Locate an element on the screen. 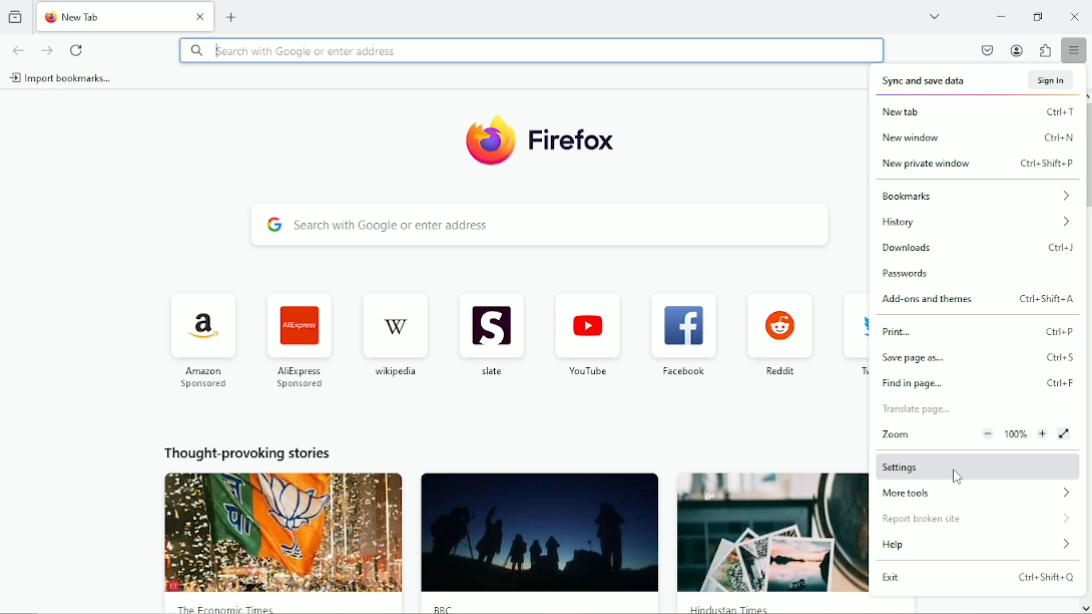 The image size is (1092, 614). Go forward is located at coordinates (46, 50).